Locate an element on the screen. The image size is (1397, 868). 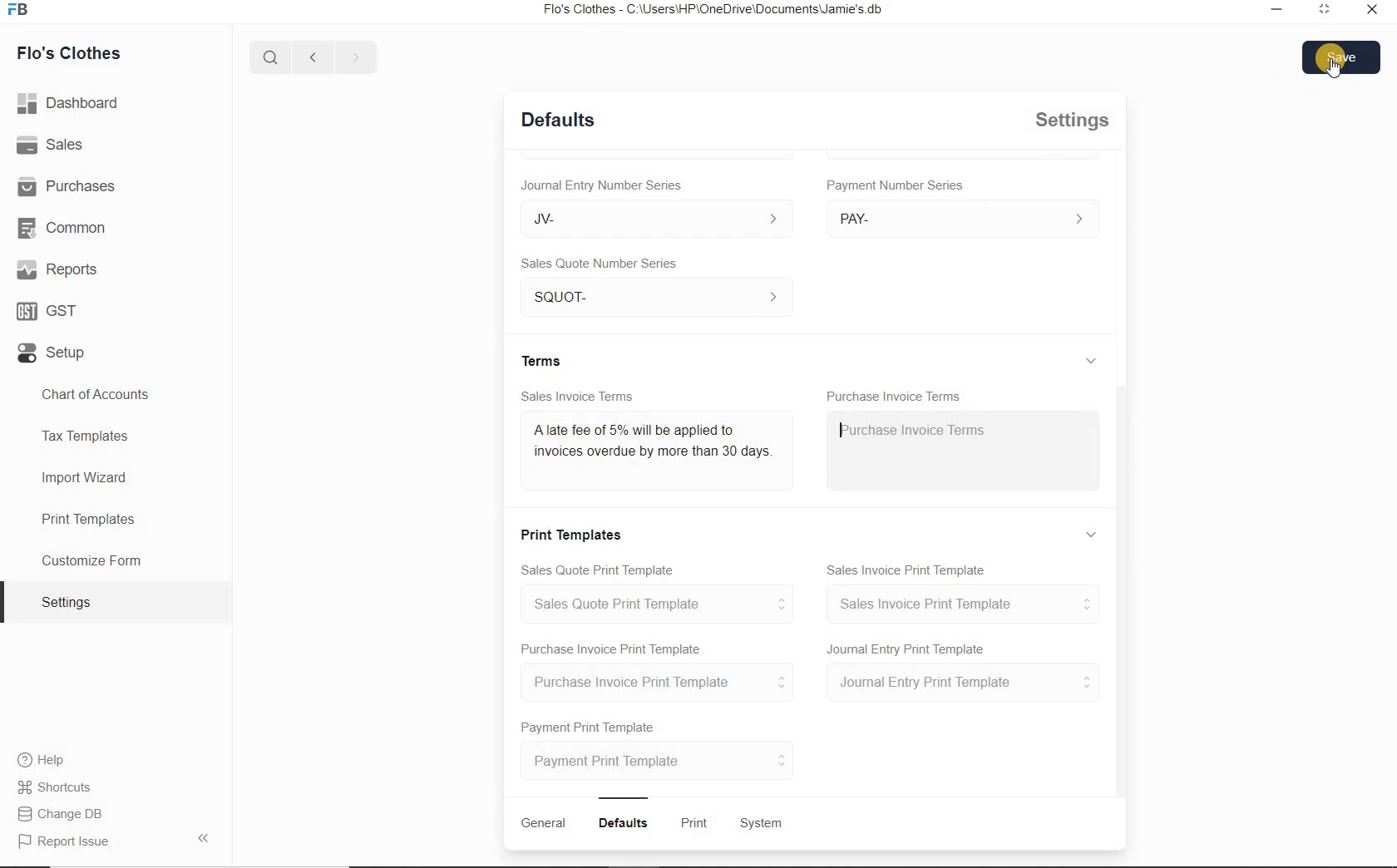
Previous is located at coordinates (310, 56).